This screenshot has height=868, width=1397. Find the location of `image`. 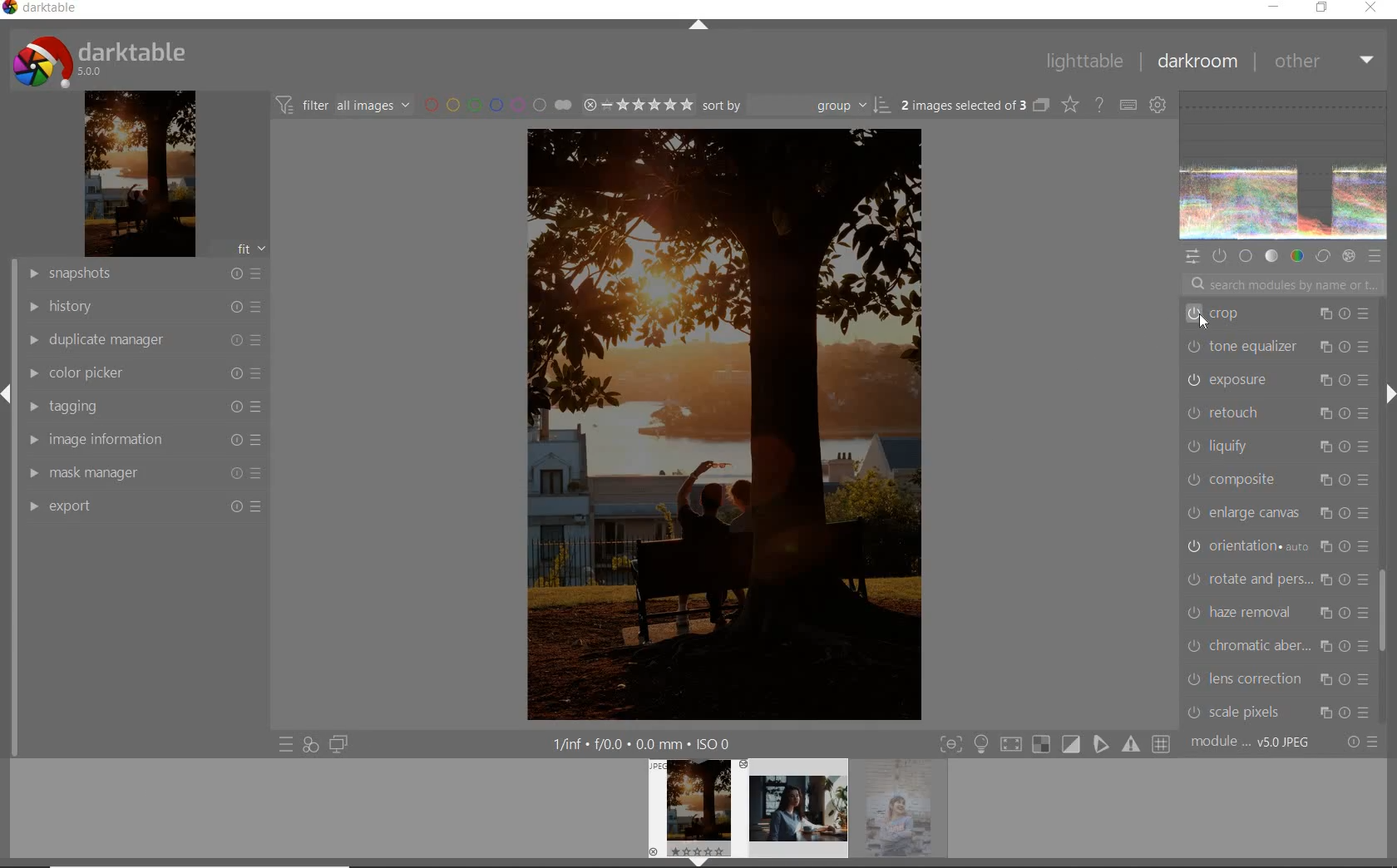

image is located at coordinates (138, 175).